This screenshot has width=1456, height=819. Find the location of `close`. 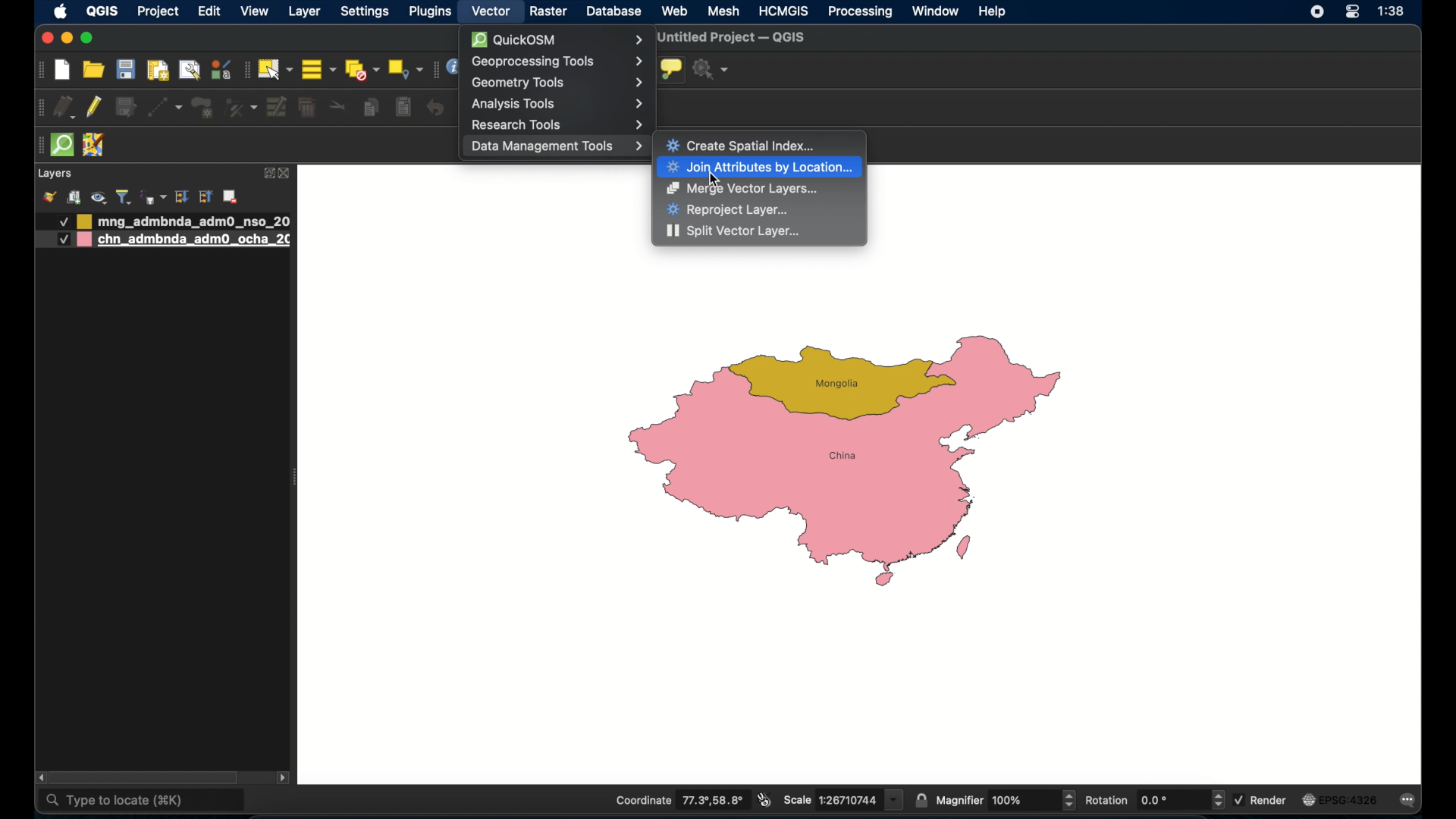

close is located at coordinates (288, 174).